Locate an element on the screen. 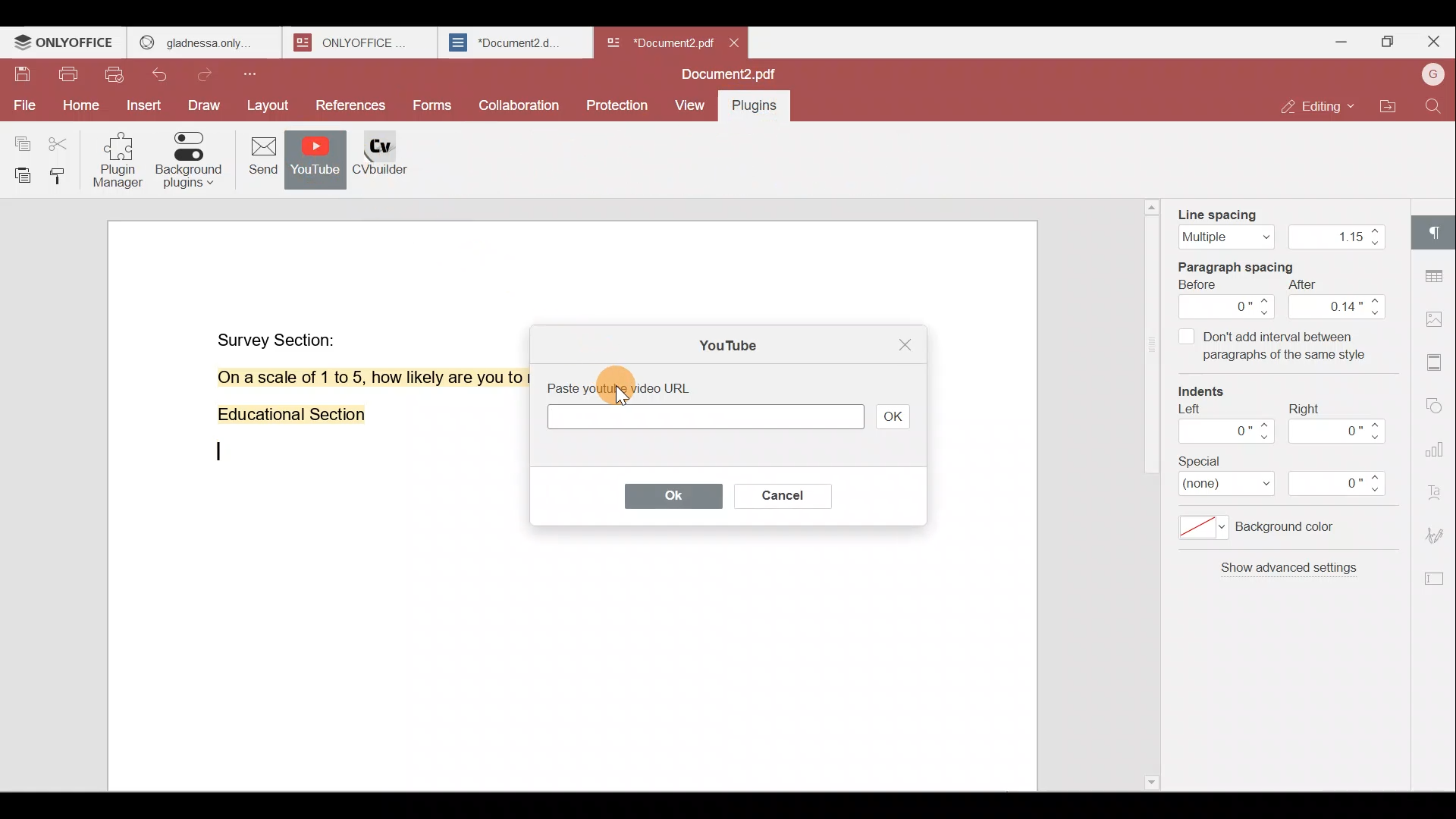 The height and width of the screenshot is (819, 1456). CV builder is located at coordinates (390, 164).